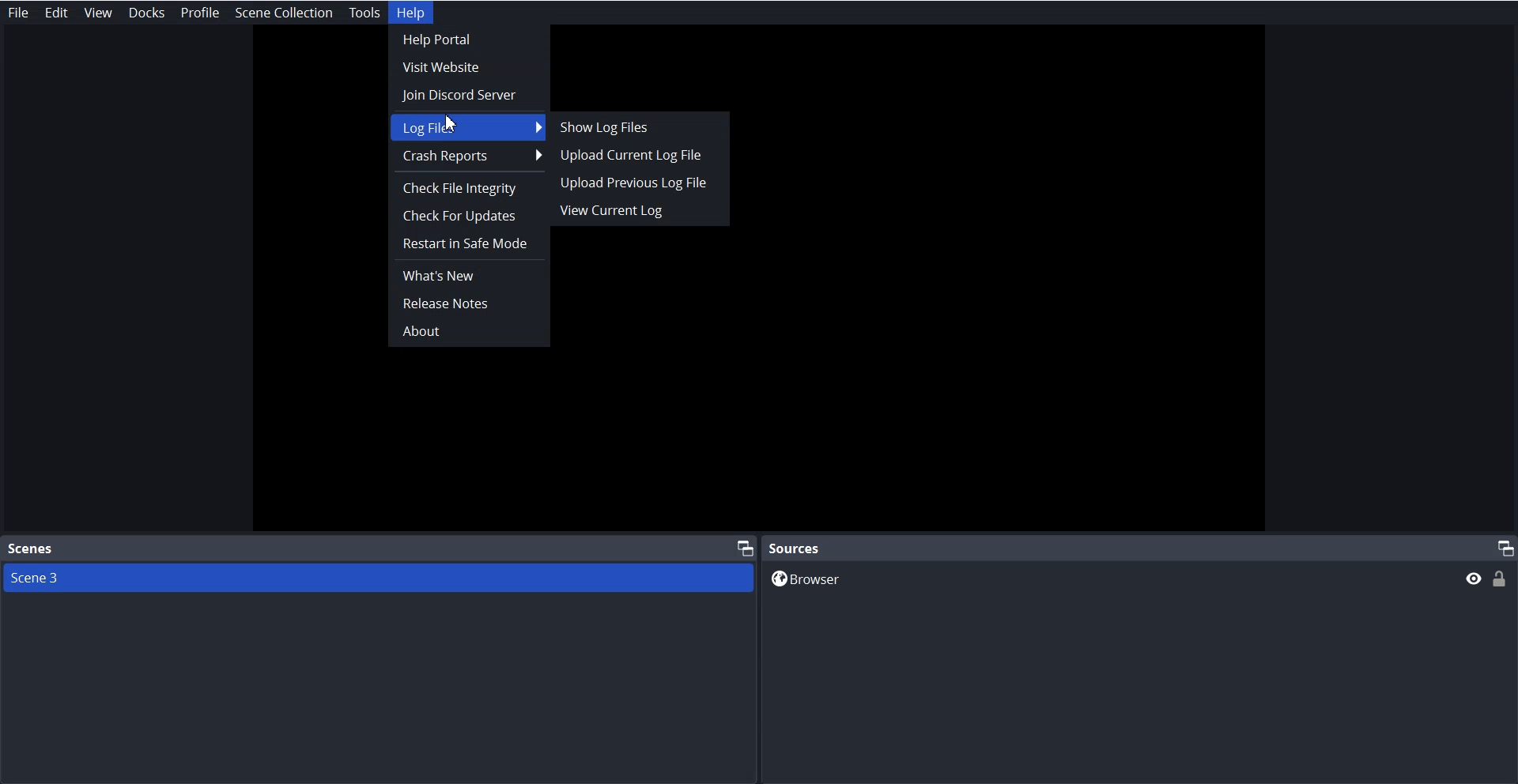 This screenshot has height=784, width=1518. Describe the element at coordinates (414, 13) in the screenshot. I see `Help` at that location.